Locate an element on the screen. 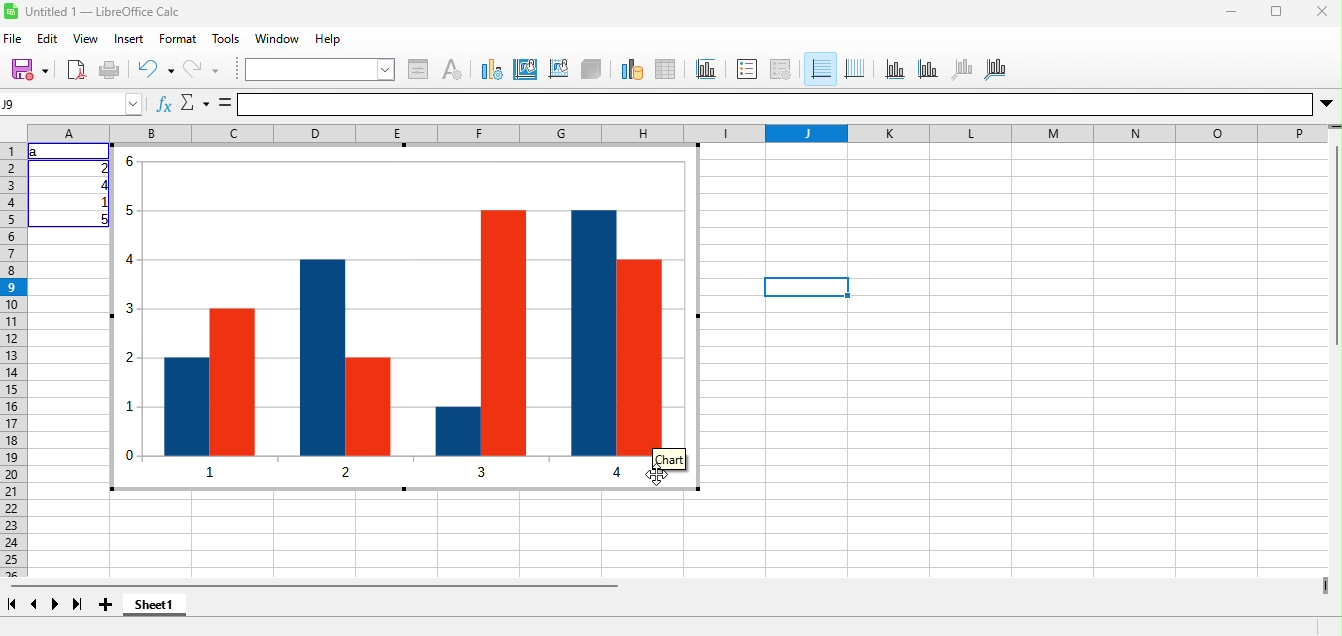 Image resolution: width=1342 pixels, height=636 pixels. More options is located at coordinates (1326, 104).